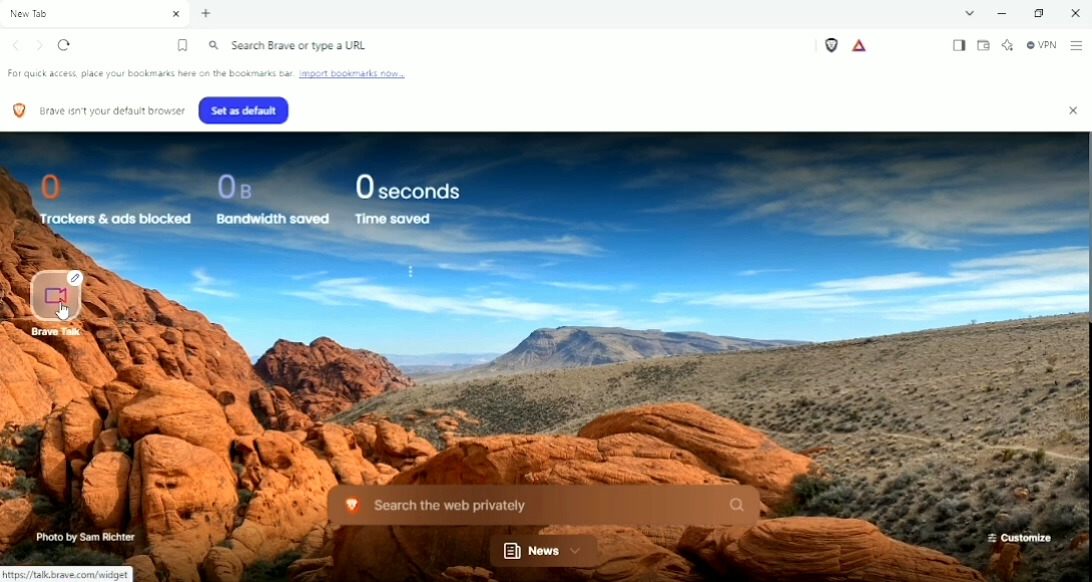 Image resolution: width=1092 pixels, height=582 pixels. Describe the element at coordinates (983, 46) in the screenshot. I see `Wallet ` at that location.